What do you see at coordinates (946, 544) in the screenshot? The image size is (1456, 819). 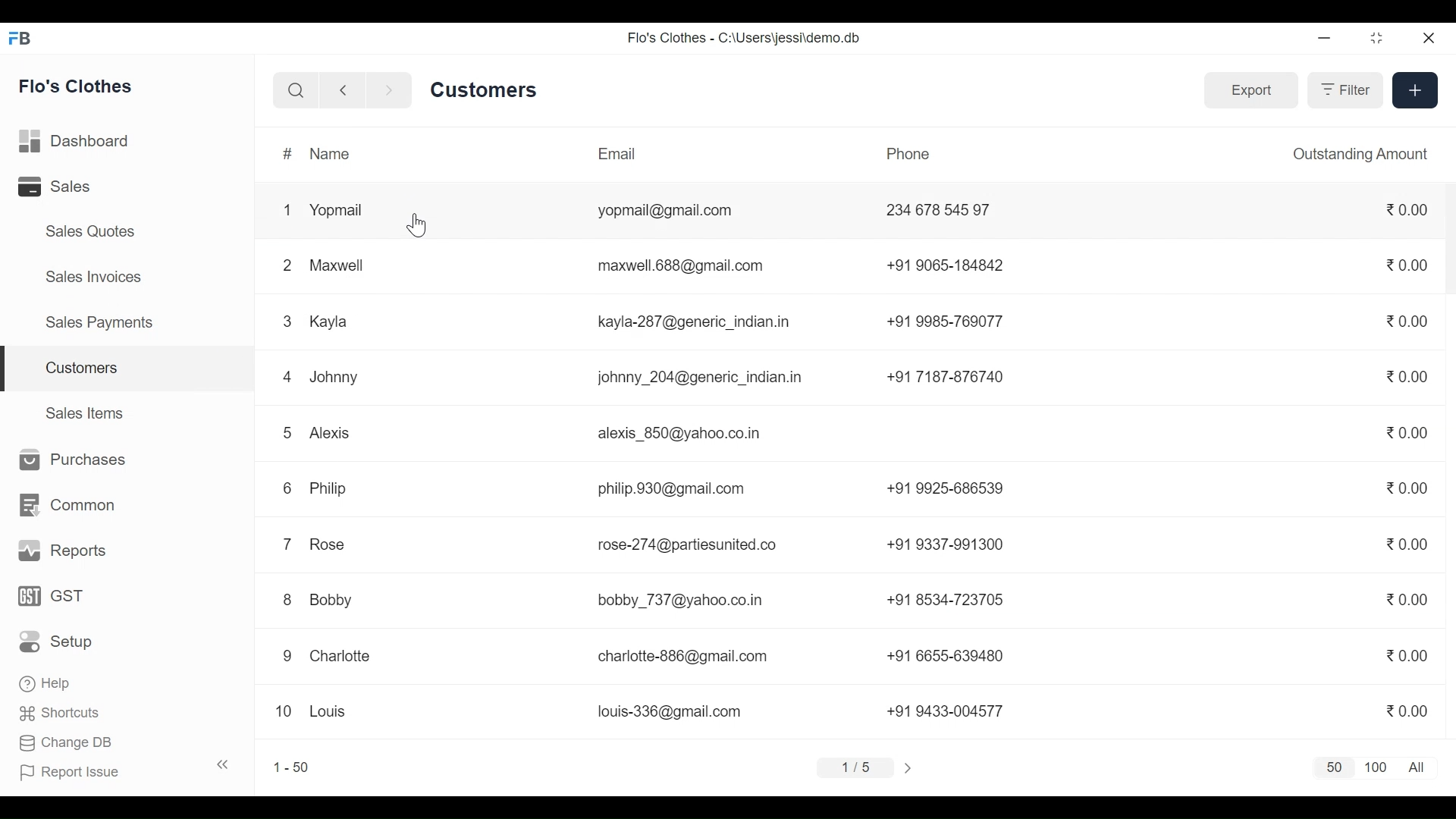 I see `+91 9337-991300` at bounding box center [946, 544].